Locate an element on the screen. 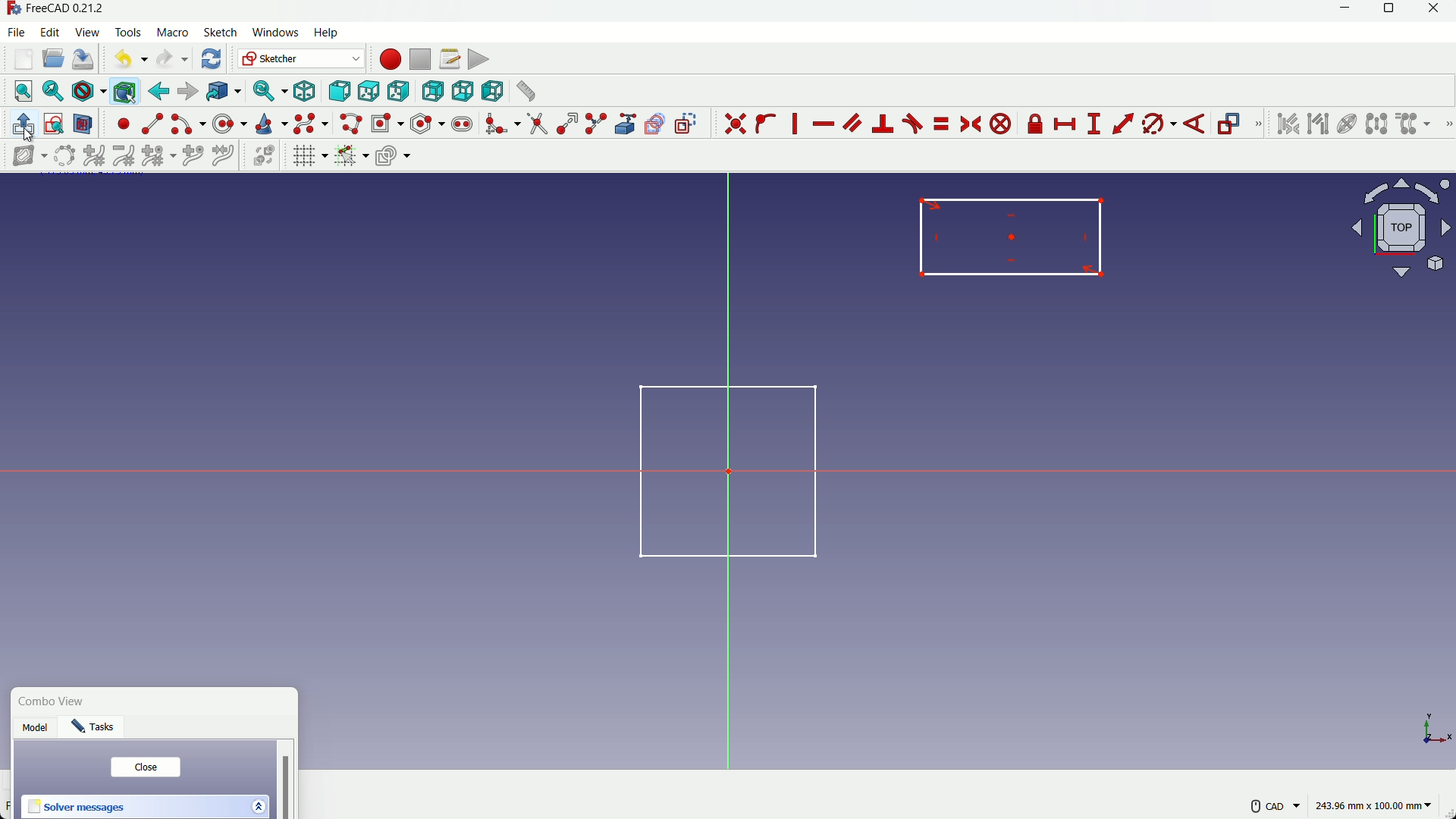  constraint horizontal distance is located at coordinates (1066, 124).